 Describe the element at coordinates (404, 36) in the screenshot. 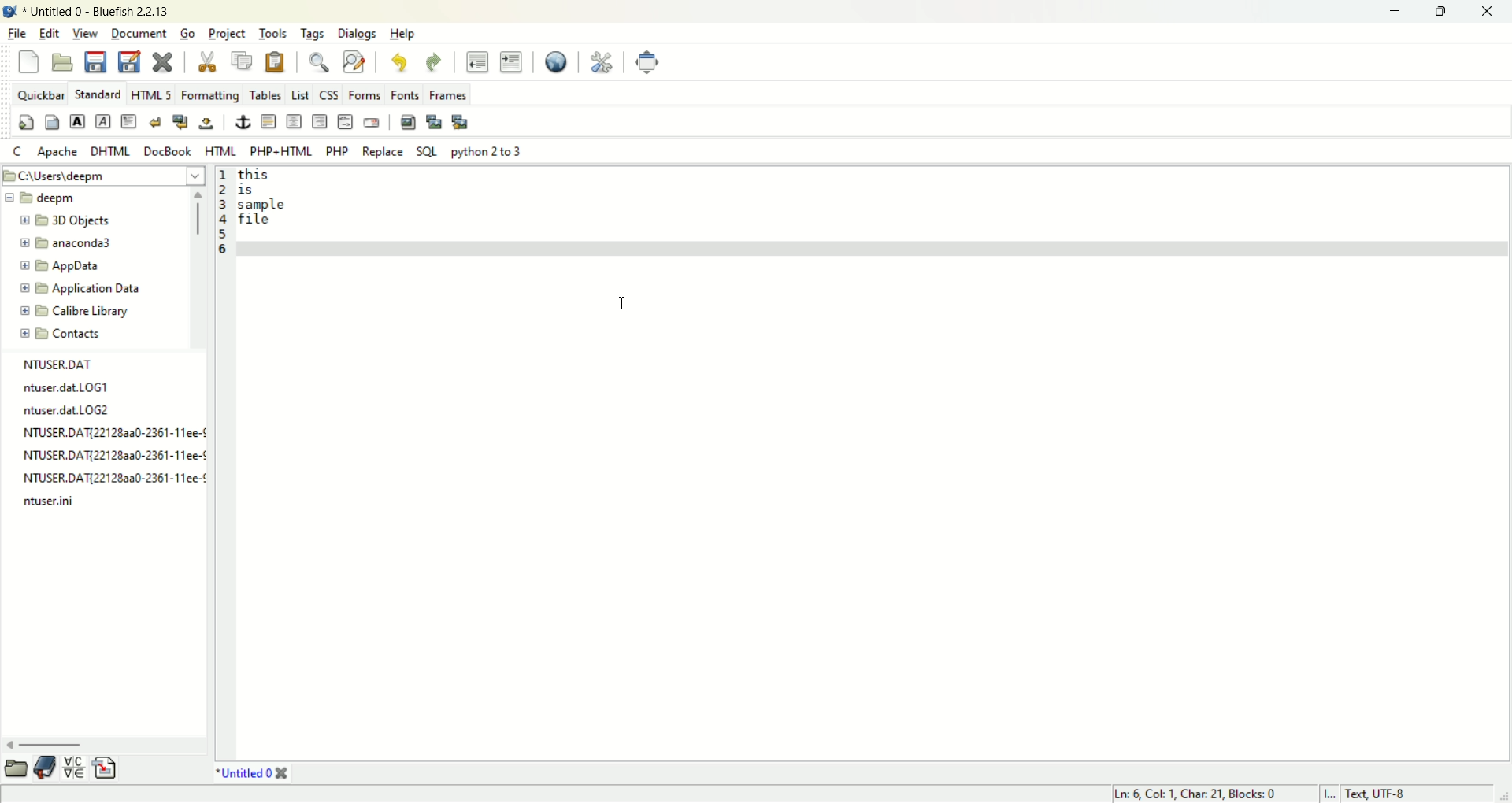

I see `help` at that location.